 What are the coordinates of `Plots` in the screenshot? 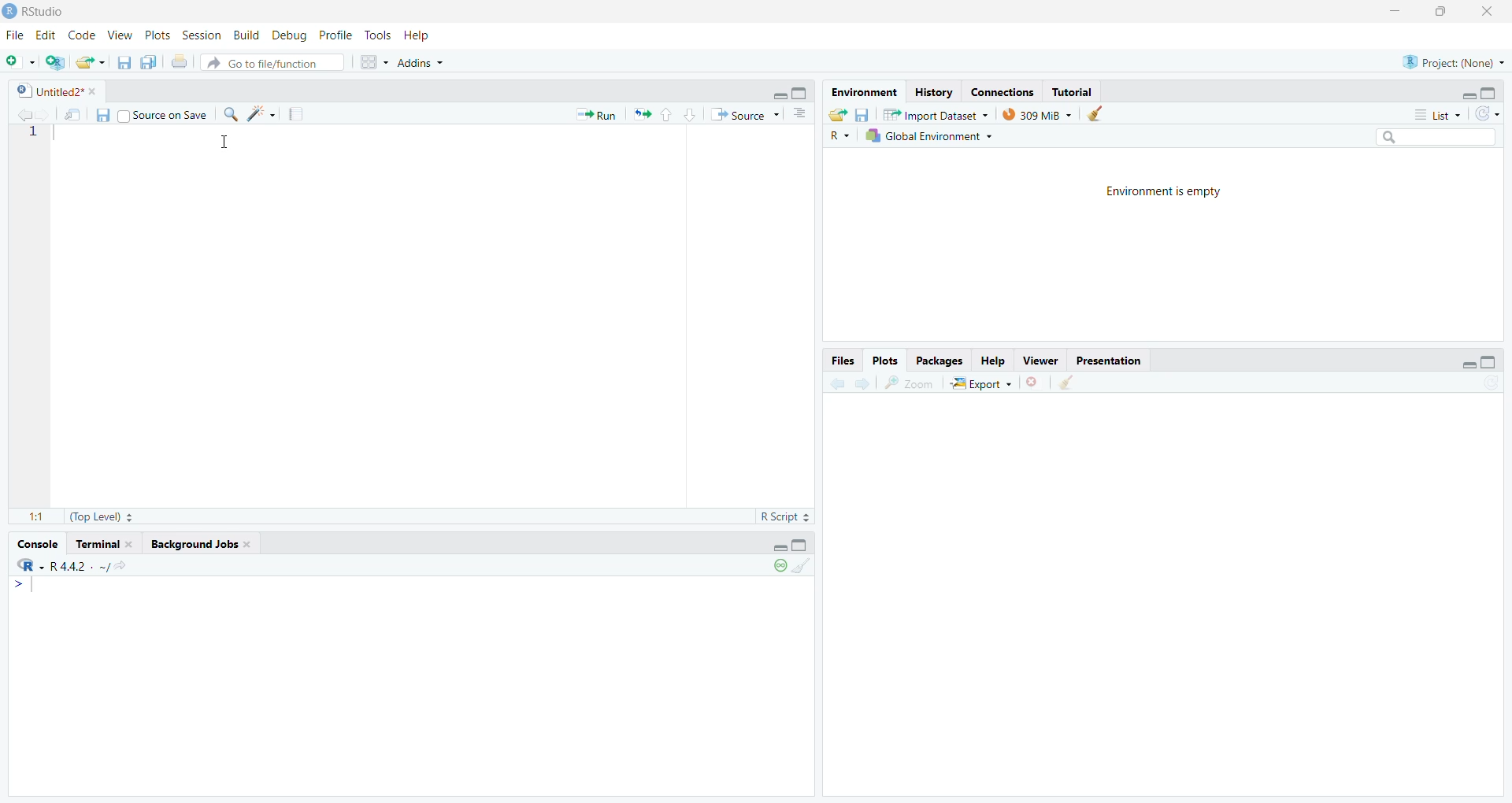 It's located at (155, 35).